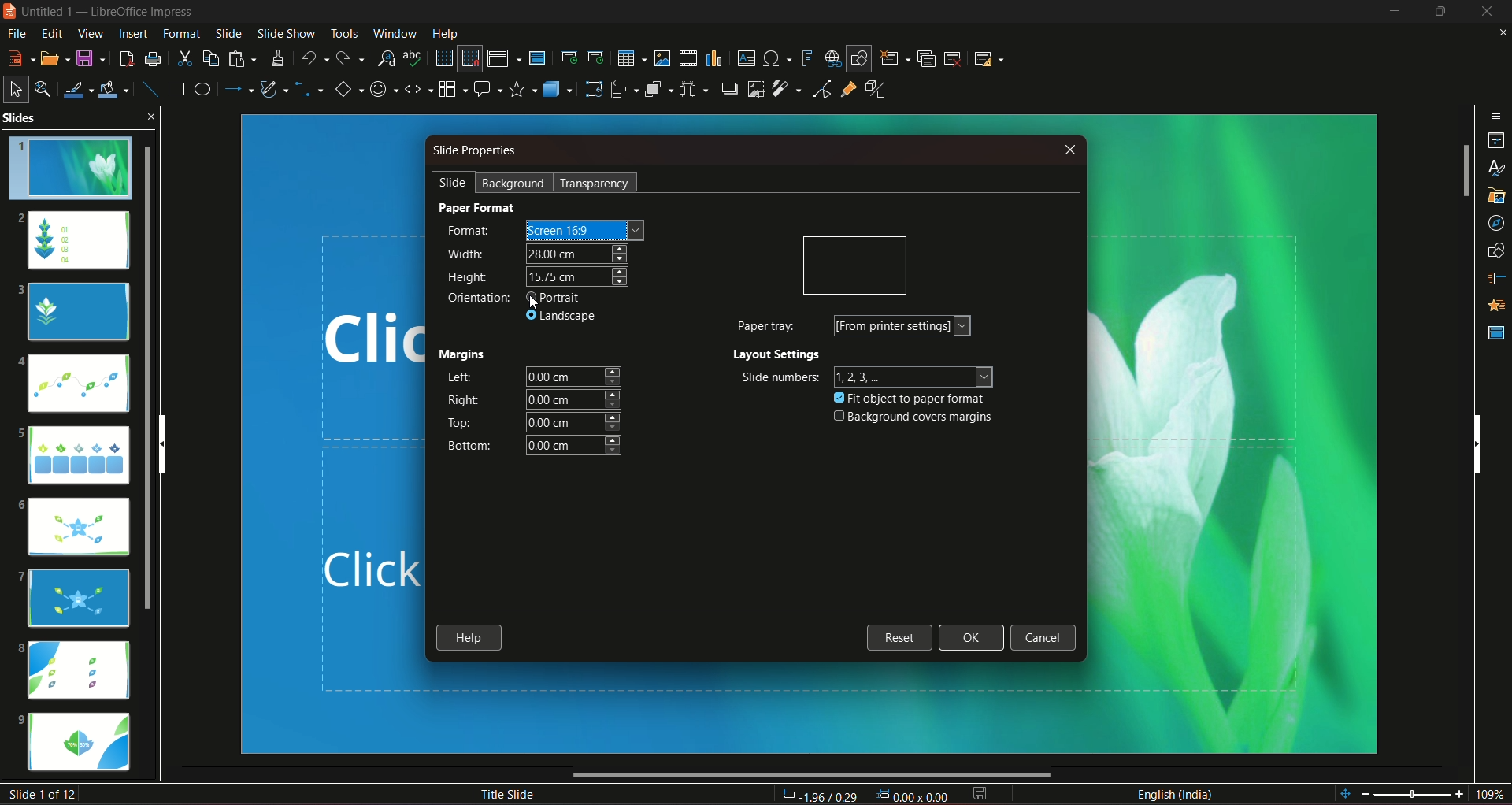  What do you see at coordinates (91, 57) in the screenshot?
I see `save` at bounding box center [91, 57].